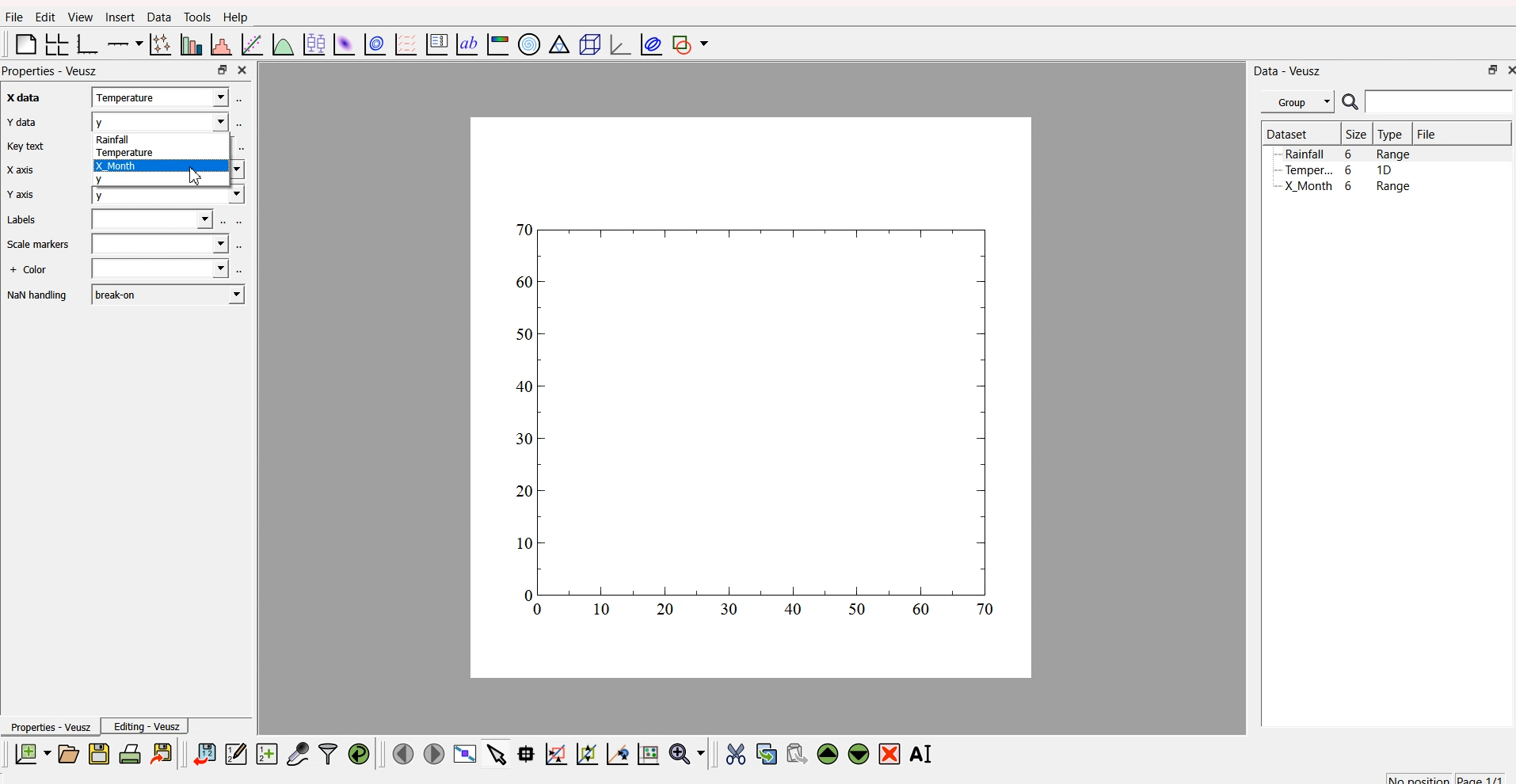  Describe the element at coordinates (148, 726) in the screenshot. I see `Editing - Veusz |` at that location.